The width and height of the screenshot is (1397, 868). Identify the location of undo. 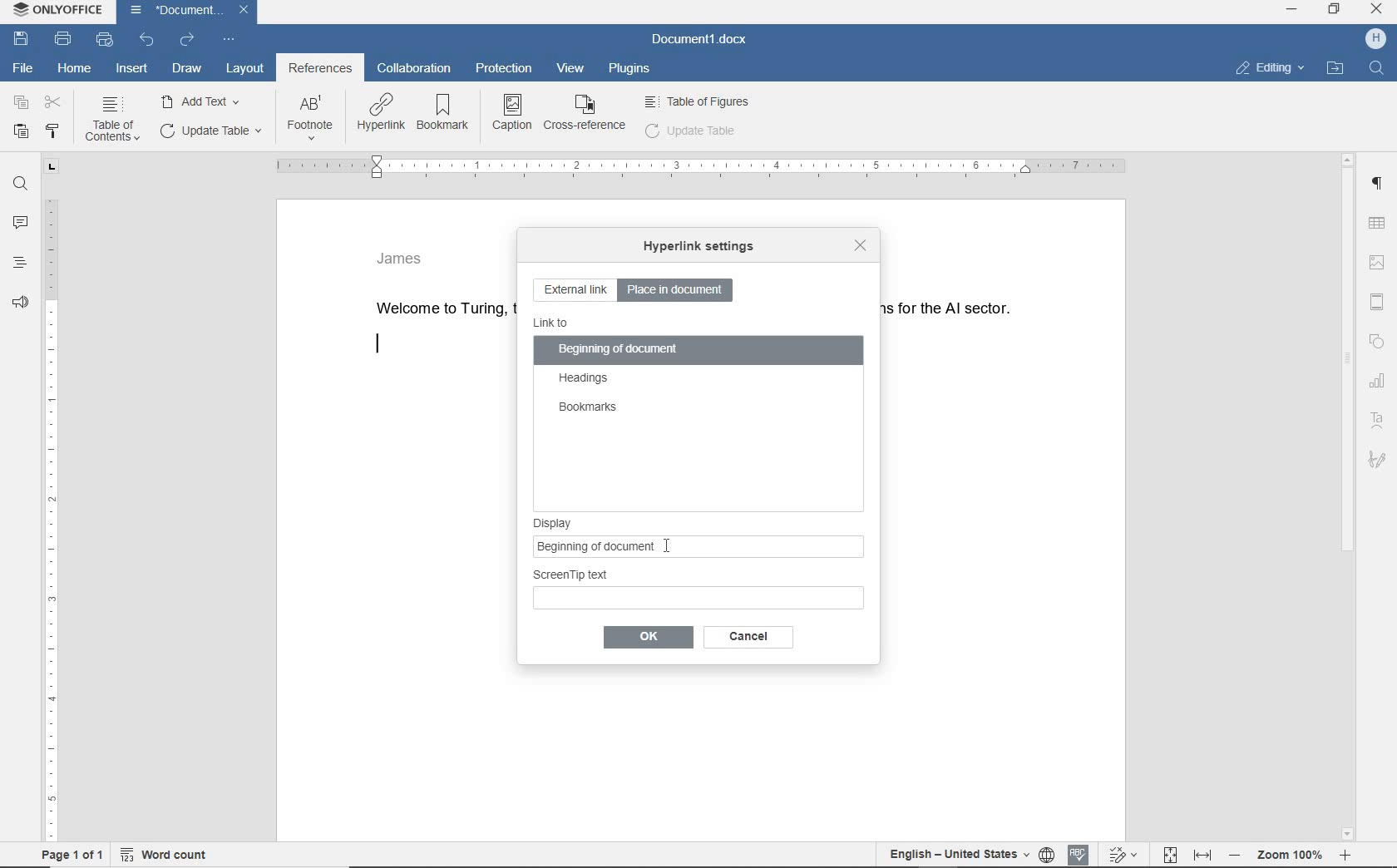
(147, 41).